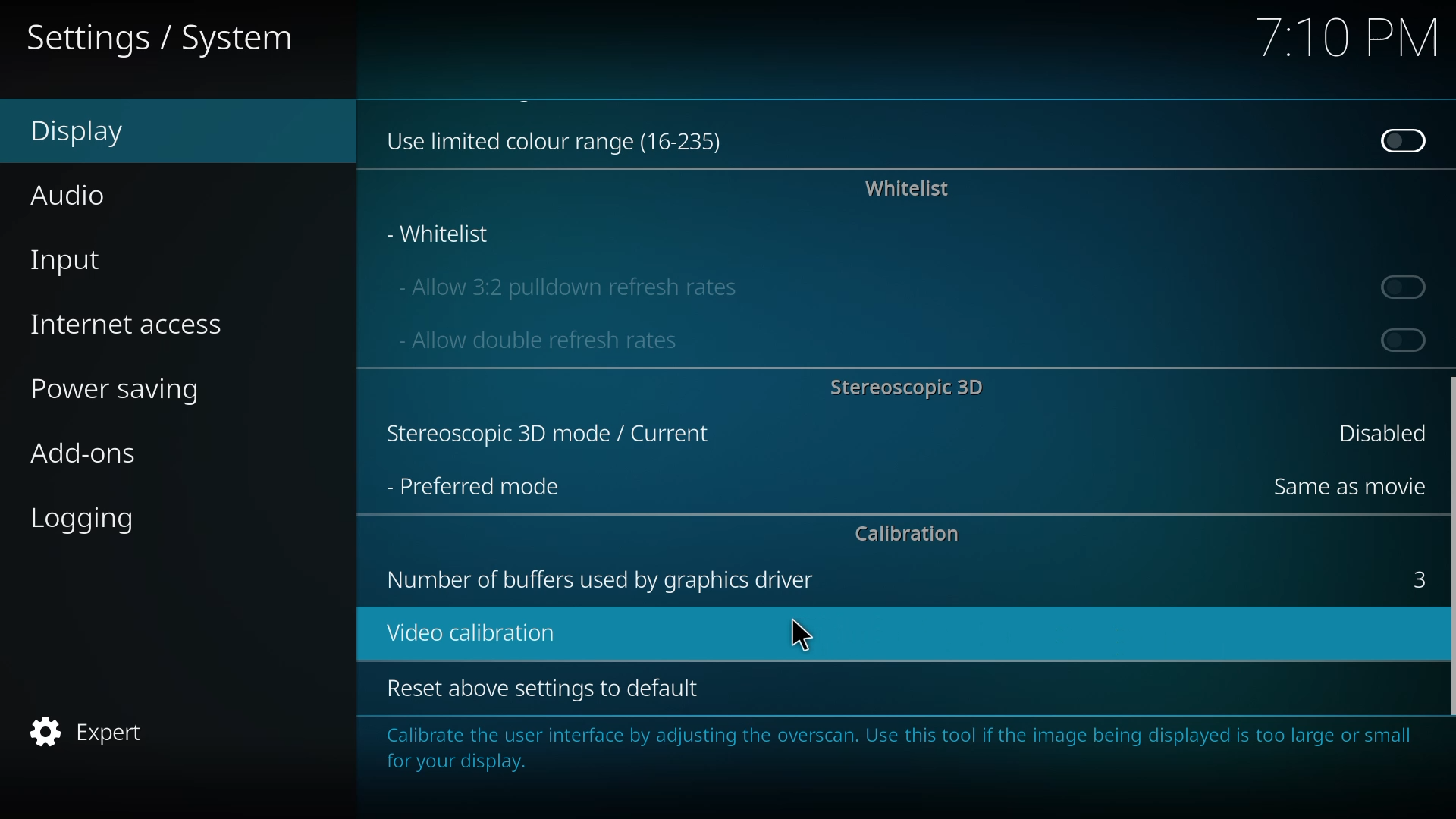 This screenshot has height=819, width=1456. Describe the element at coordinates (1373, 431) in the screenshot. I see `disabled` at that location.